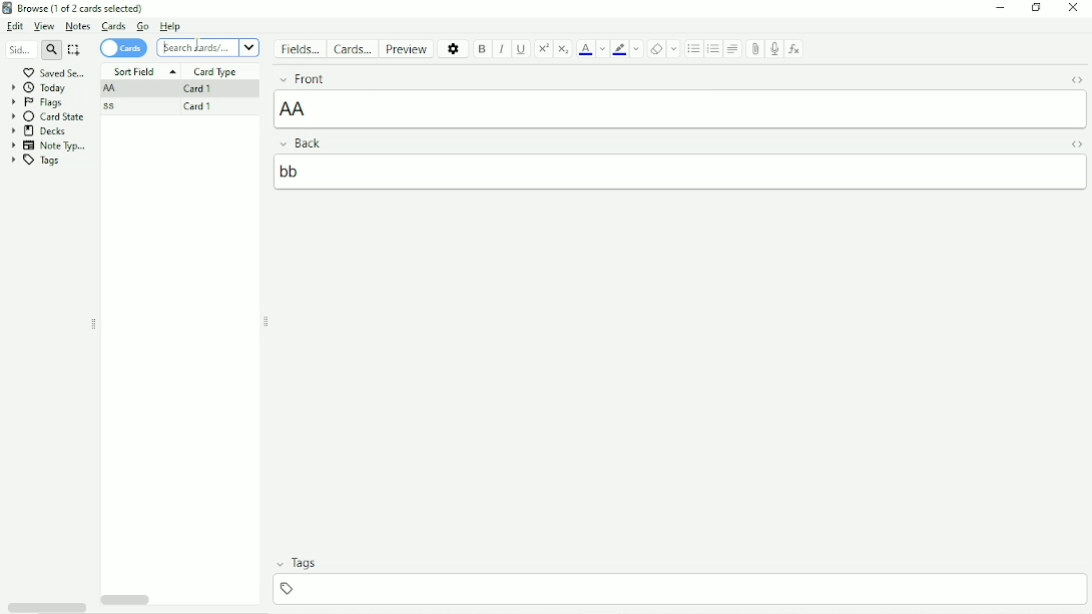  I want to click on AA, so click(112, 90).